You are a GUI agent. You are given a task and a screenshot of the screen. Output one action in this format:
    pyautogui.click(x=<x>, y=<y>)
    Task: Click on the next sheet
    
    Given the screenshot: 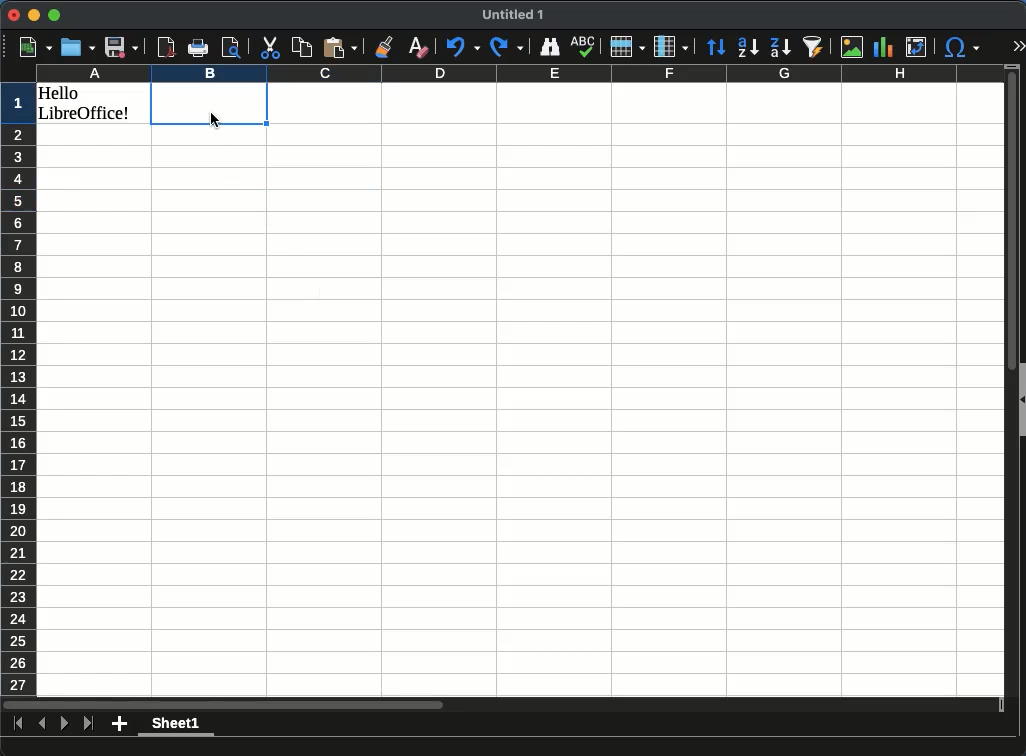 What is the action you would take?
    pyautogui.click(x=63, y=728)
    